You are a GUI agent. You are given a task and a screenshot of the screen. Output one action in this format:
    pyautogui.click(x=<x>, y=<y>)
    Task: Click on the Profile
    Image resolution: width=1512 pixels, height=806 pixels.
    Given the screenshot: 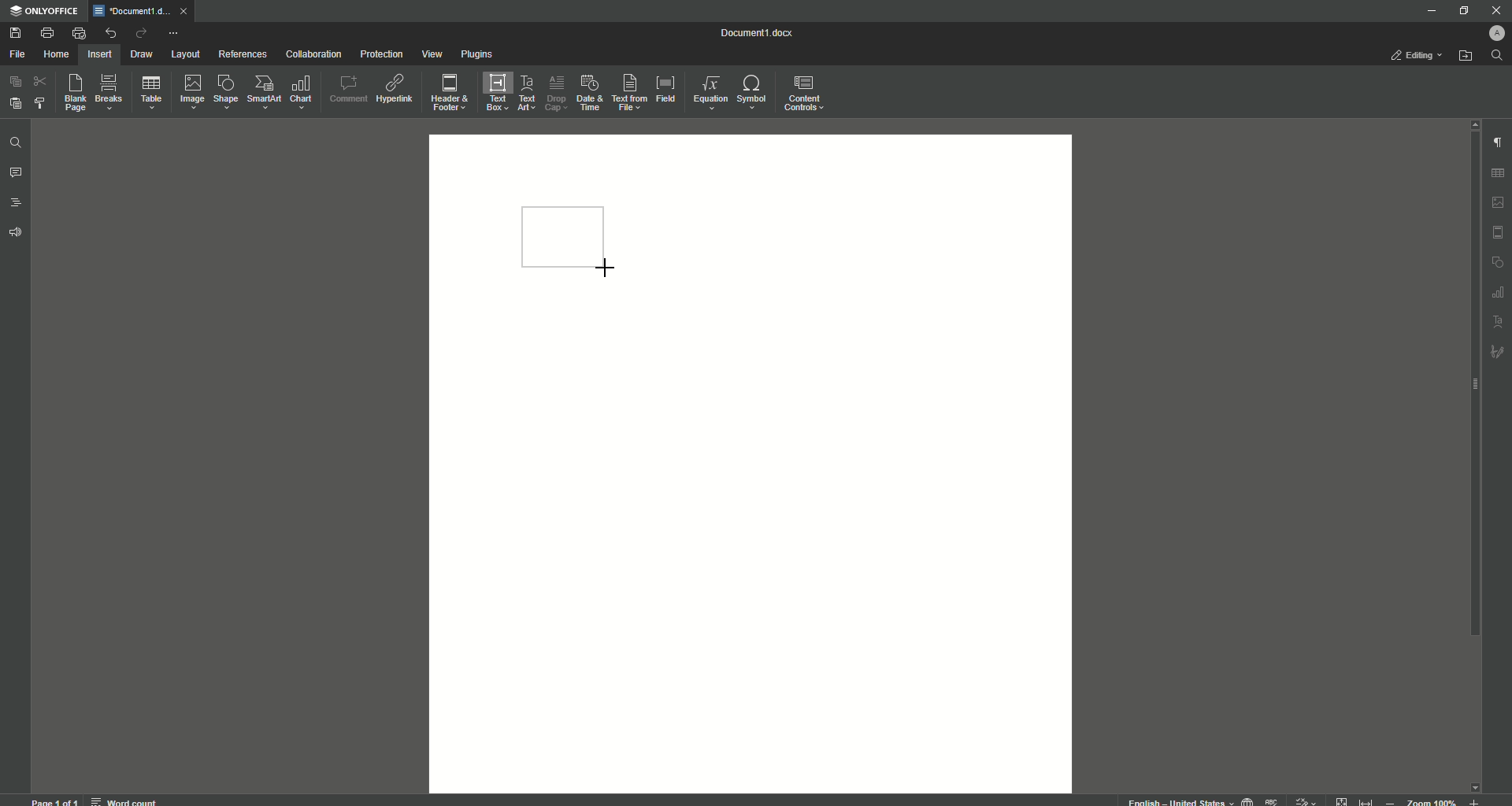 What is the action you would take?
    pyautogui.click(x=1494, y=33)
    